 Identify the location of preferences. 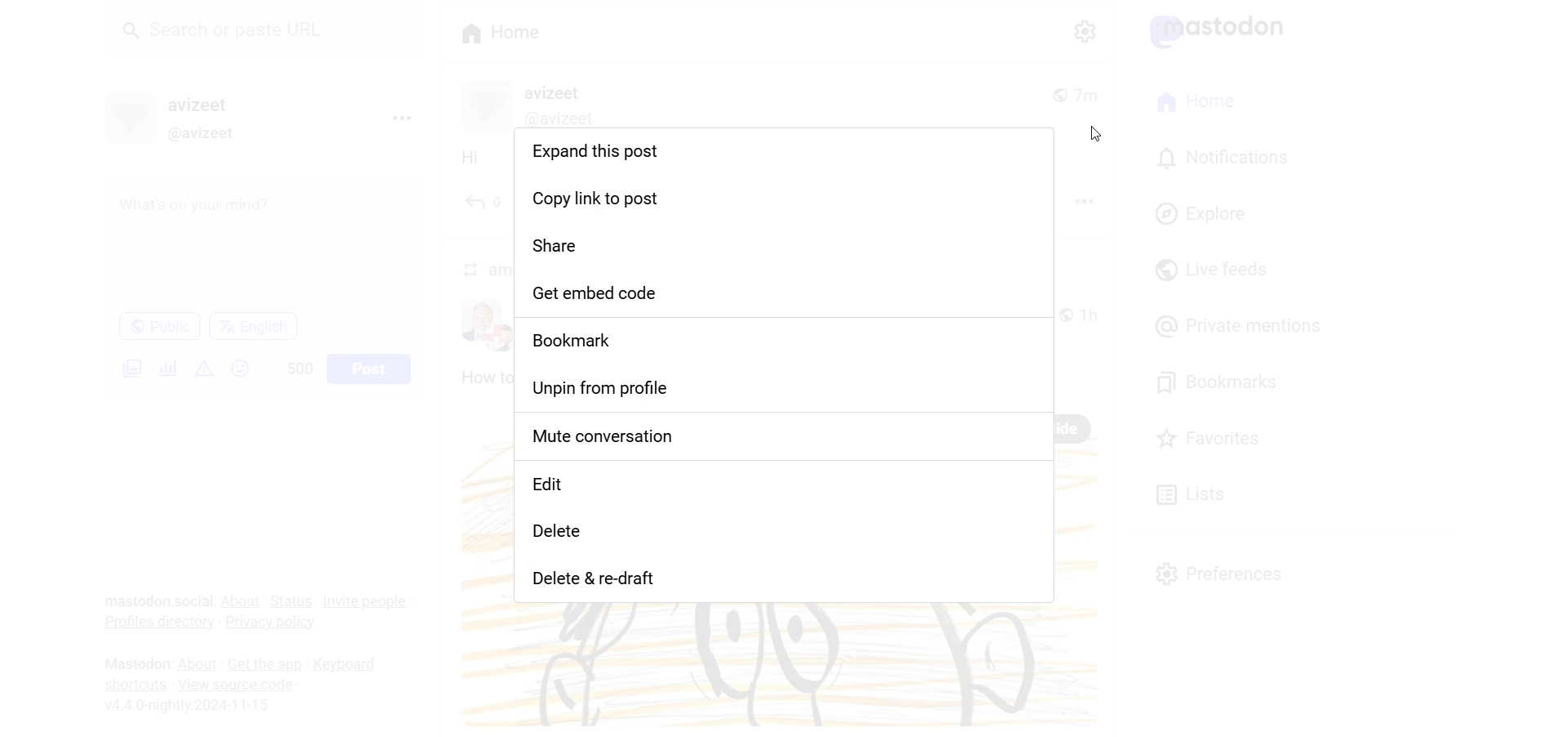
(1222, 572).